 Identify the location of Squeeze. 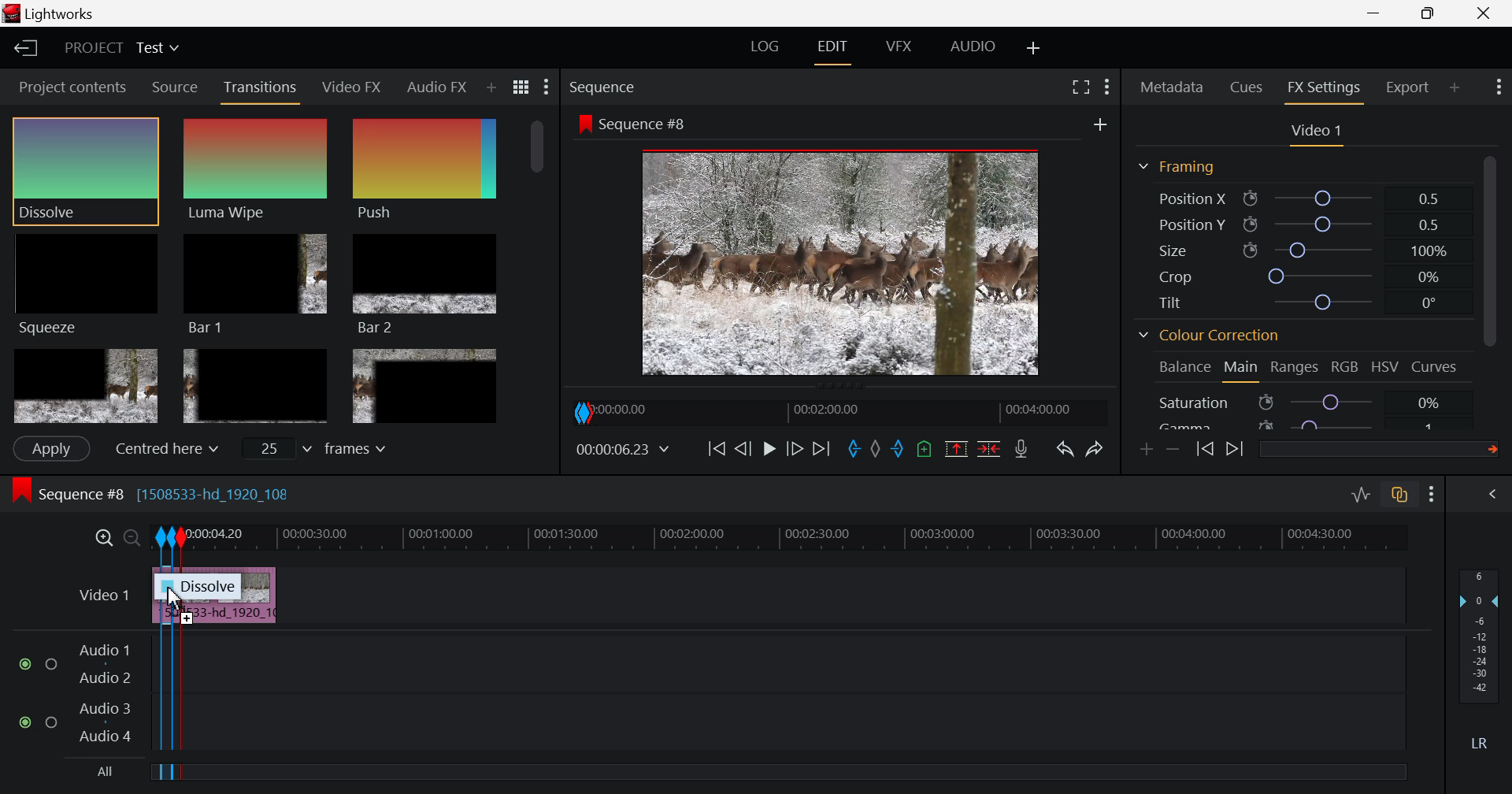
(84, 283).